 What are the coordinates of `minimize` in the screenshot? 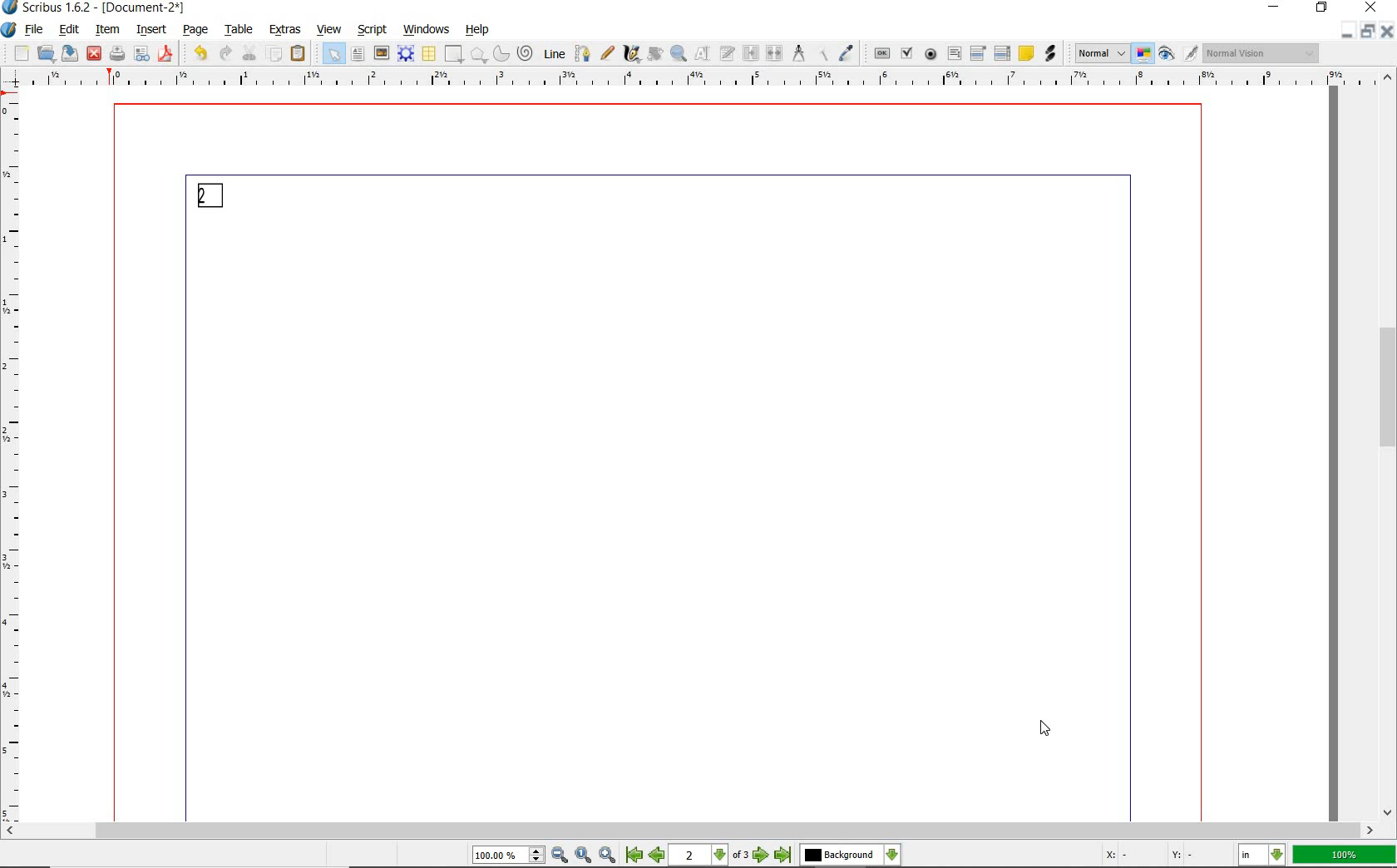 It's located at (1271, 7).